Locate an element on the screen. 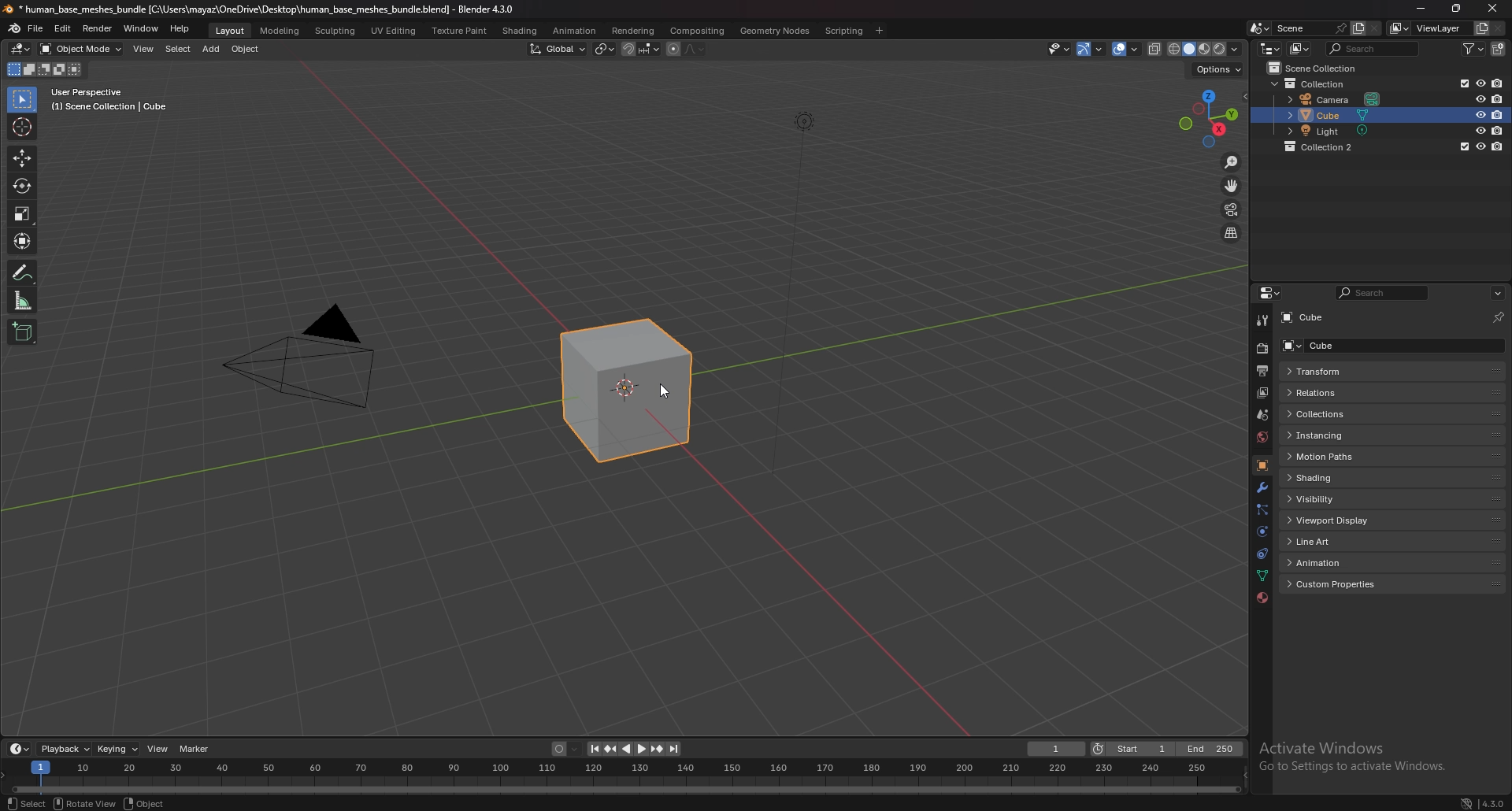 The image size is (1512, 811). sculpting is located at coordinates (337, 30).